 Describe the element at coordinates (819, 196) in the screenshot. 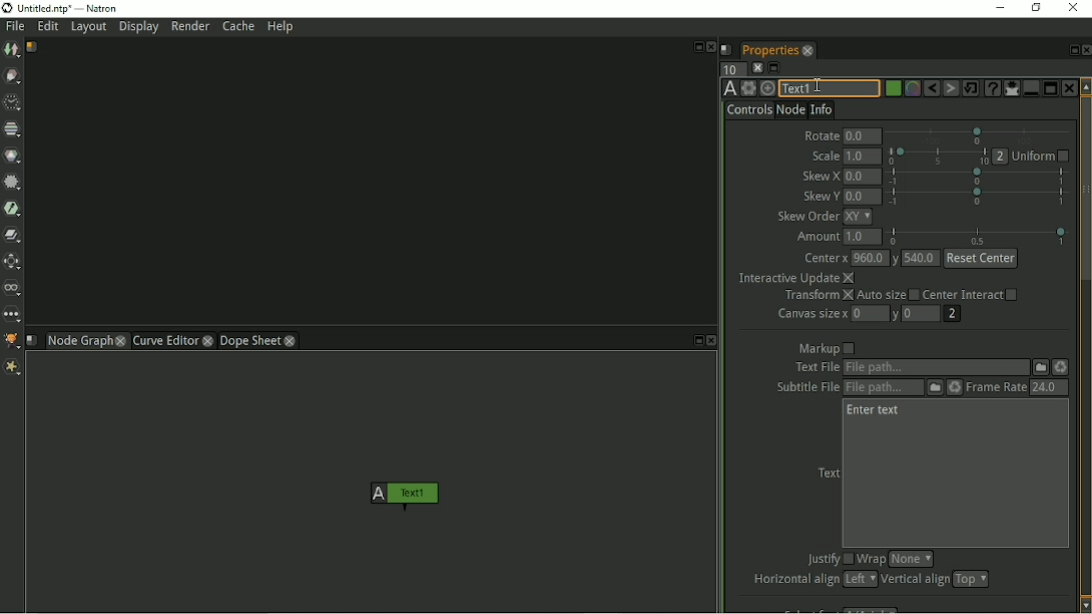

I see `Skew Y` at that location.